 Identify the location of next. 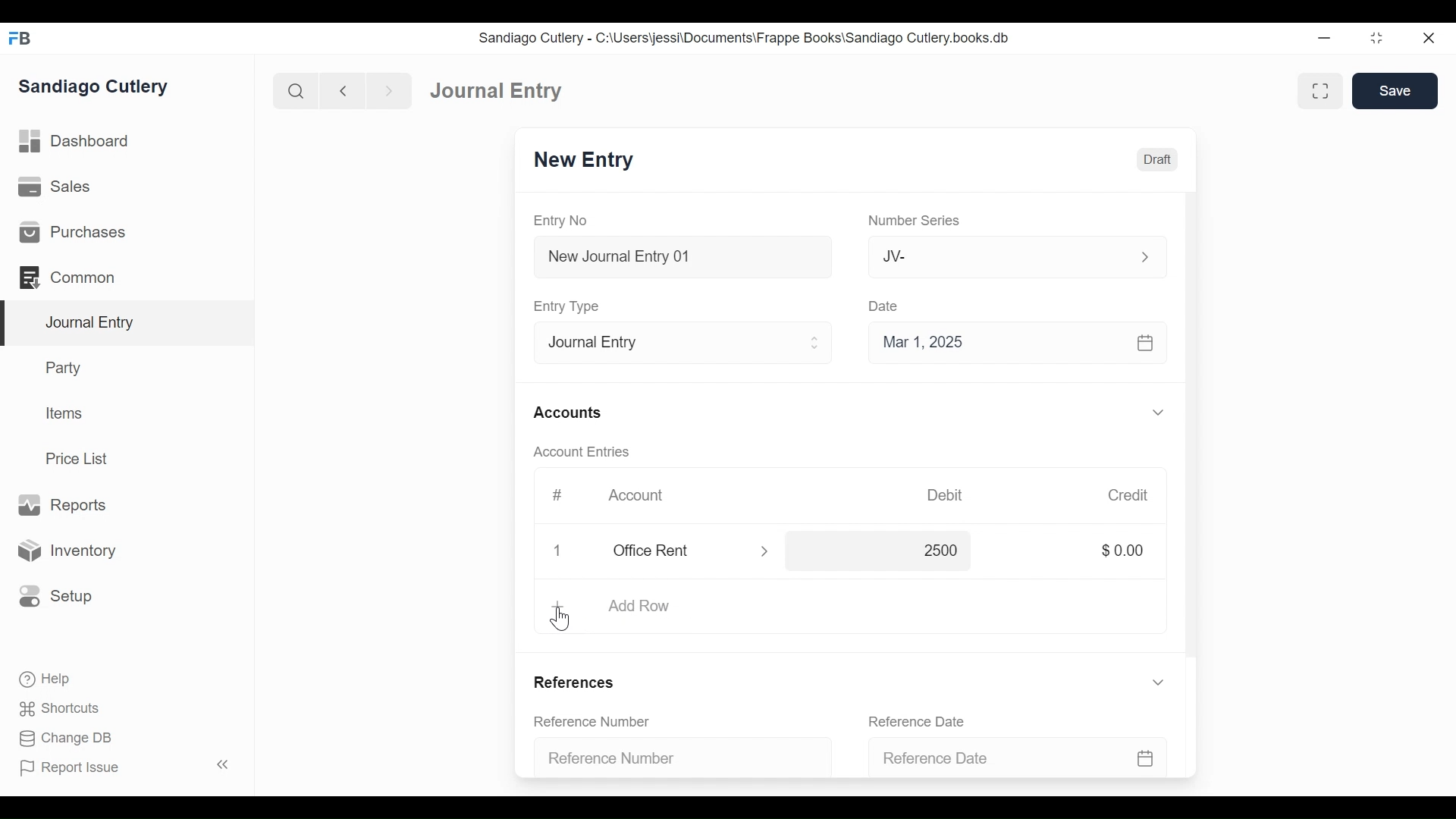
(384, 89).